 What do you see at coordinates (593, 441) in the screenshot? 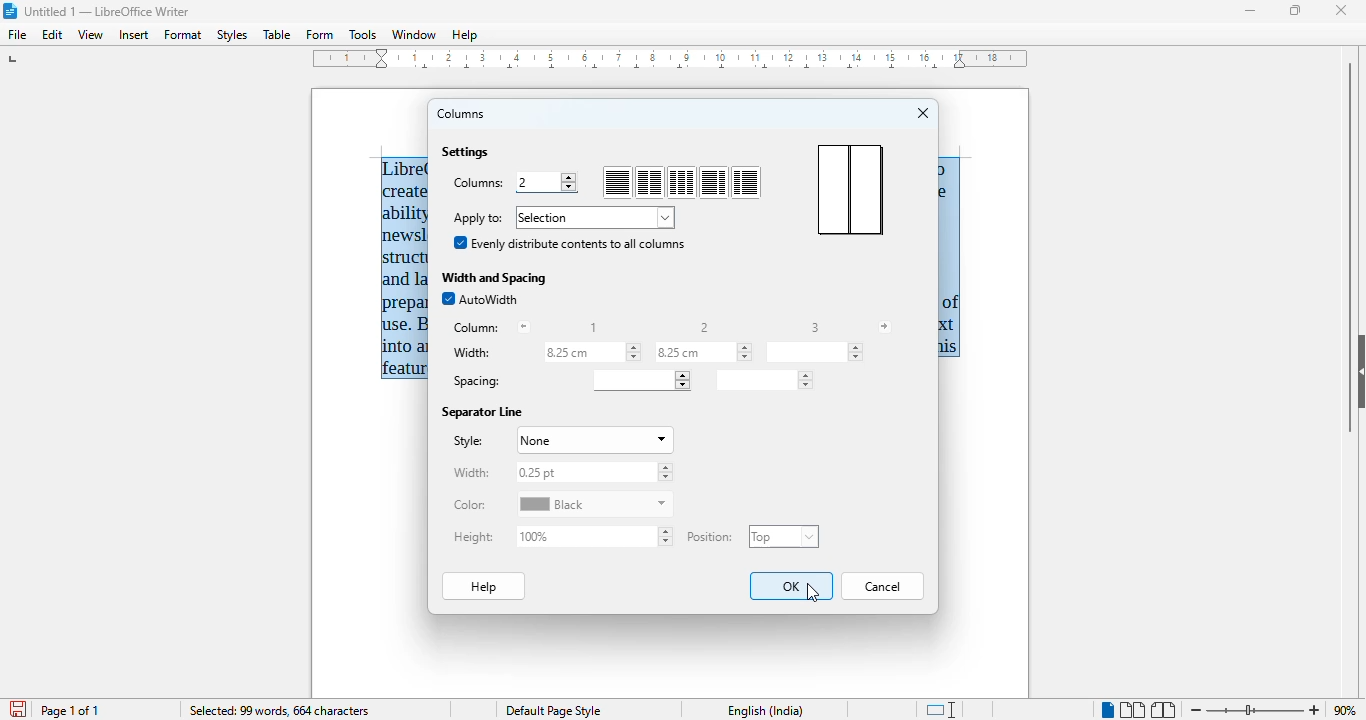
I see `none` at bounding box center [593, 441].